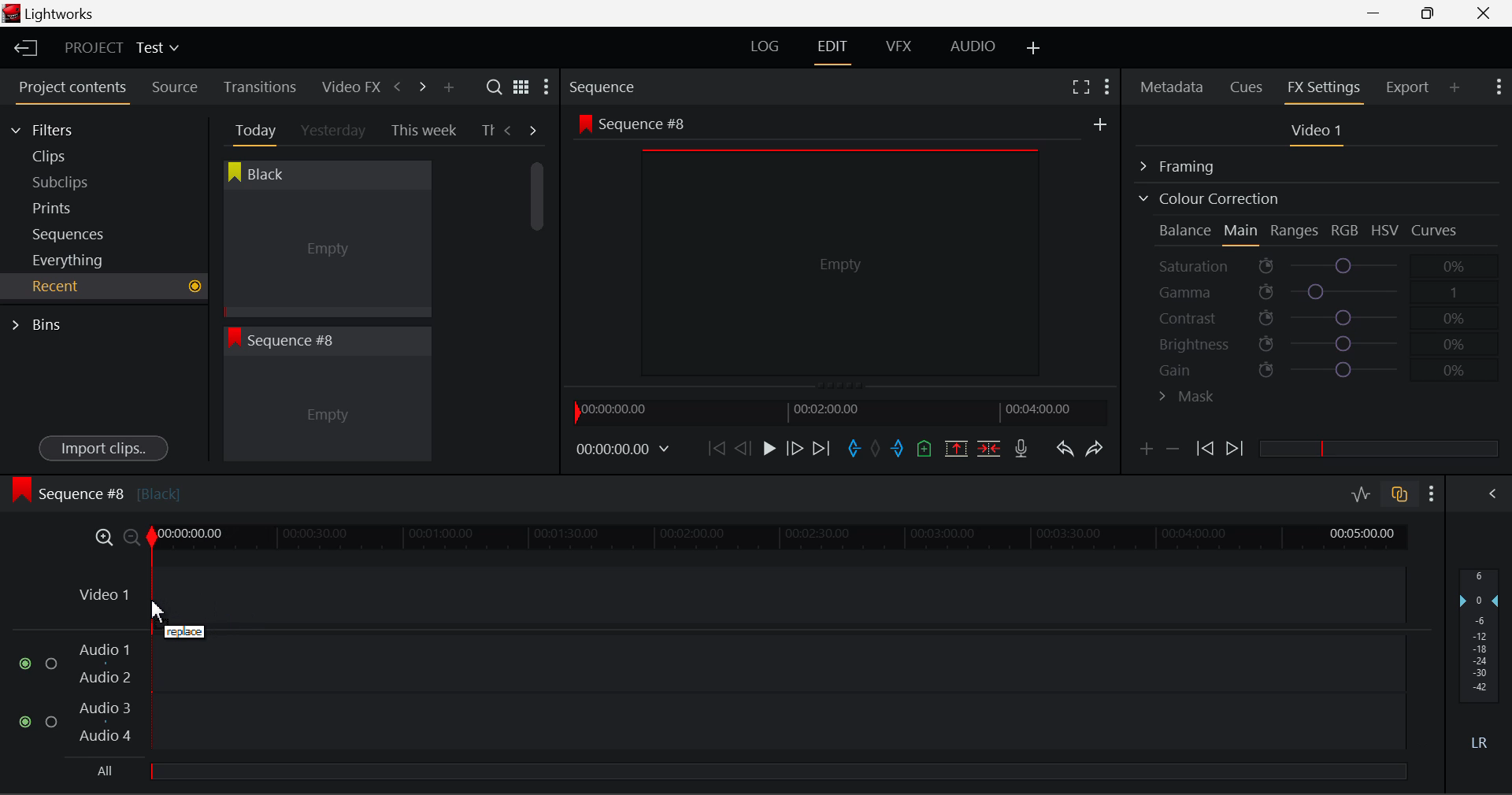  I want to click on Clips, so click(77, 156).